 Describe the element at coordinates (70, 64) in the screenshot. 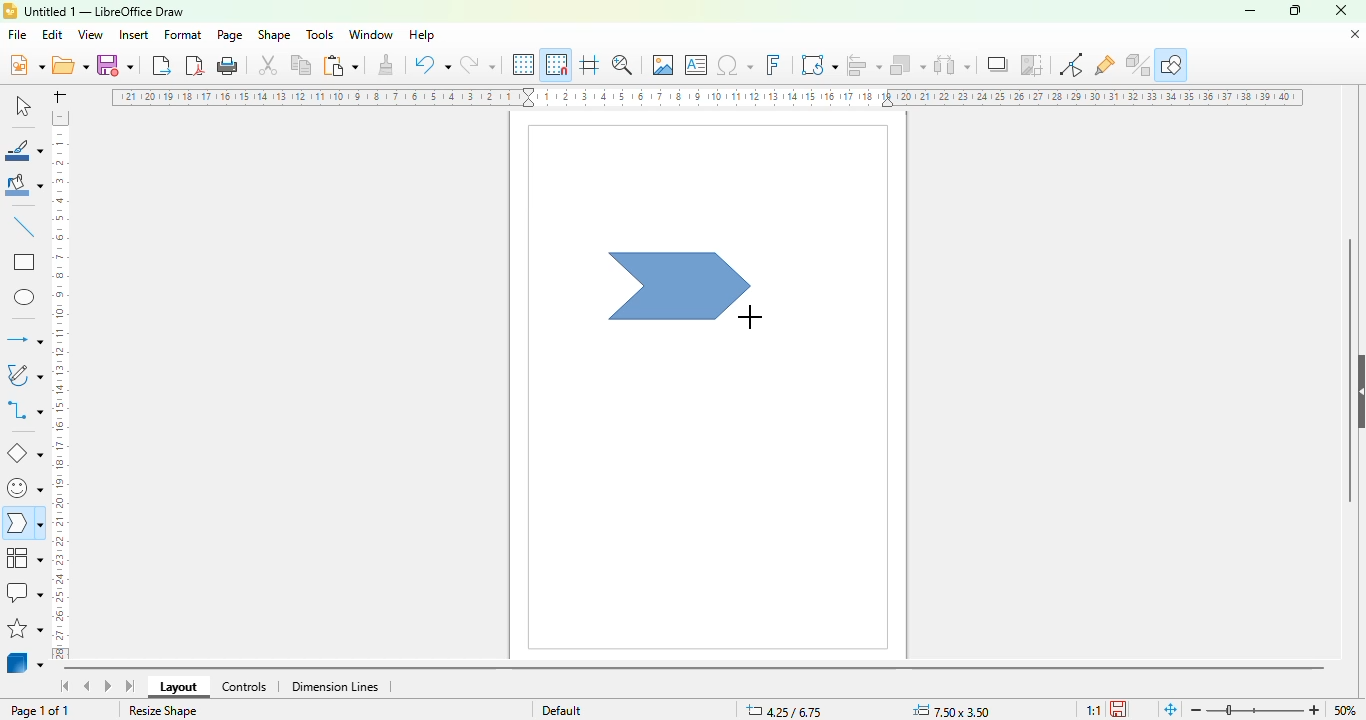

I see `open` at that location.